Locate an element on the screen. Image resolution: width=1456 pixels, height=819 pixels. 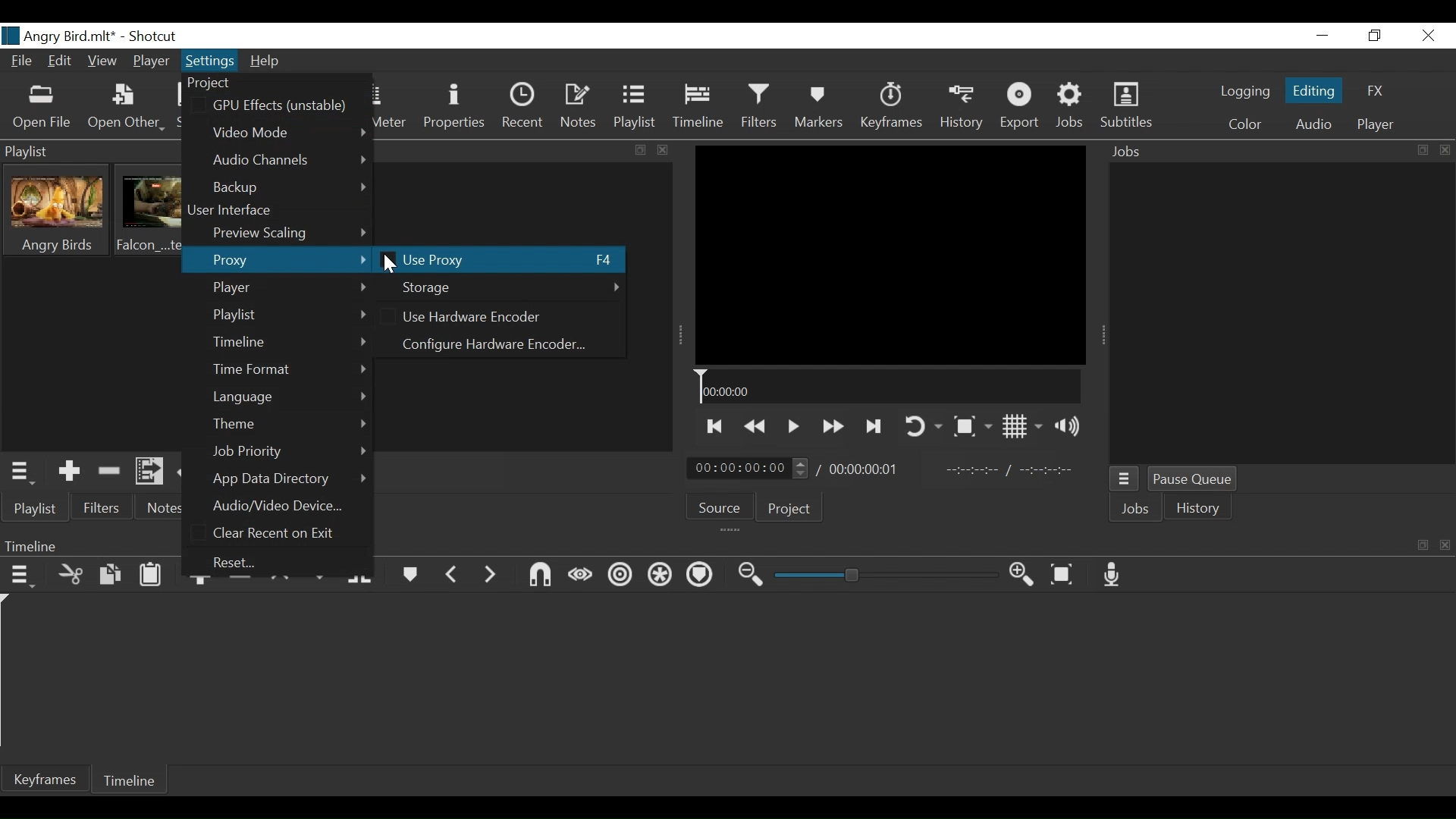
Jobs is located at coordinates (1137, 510).